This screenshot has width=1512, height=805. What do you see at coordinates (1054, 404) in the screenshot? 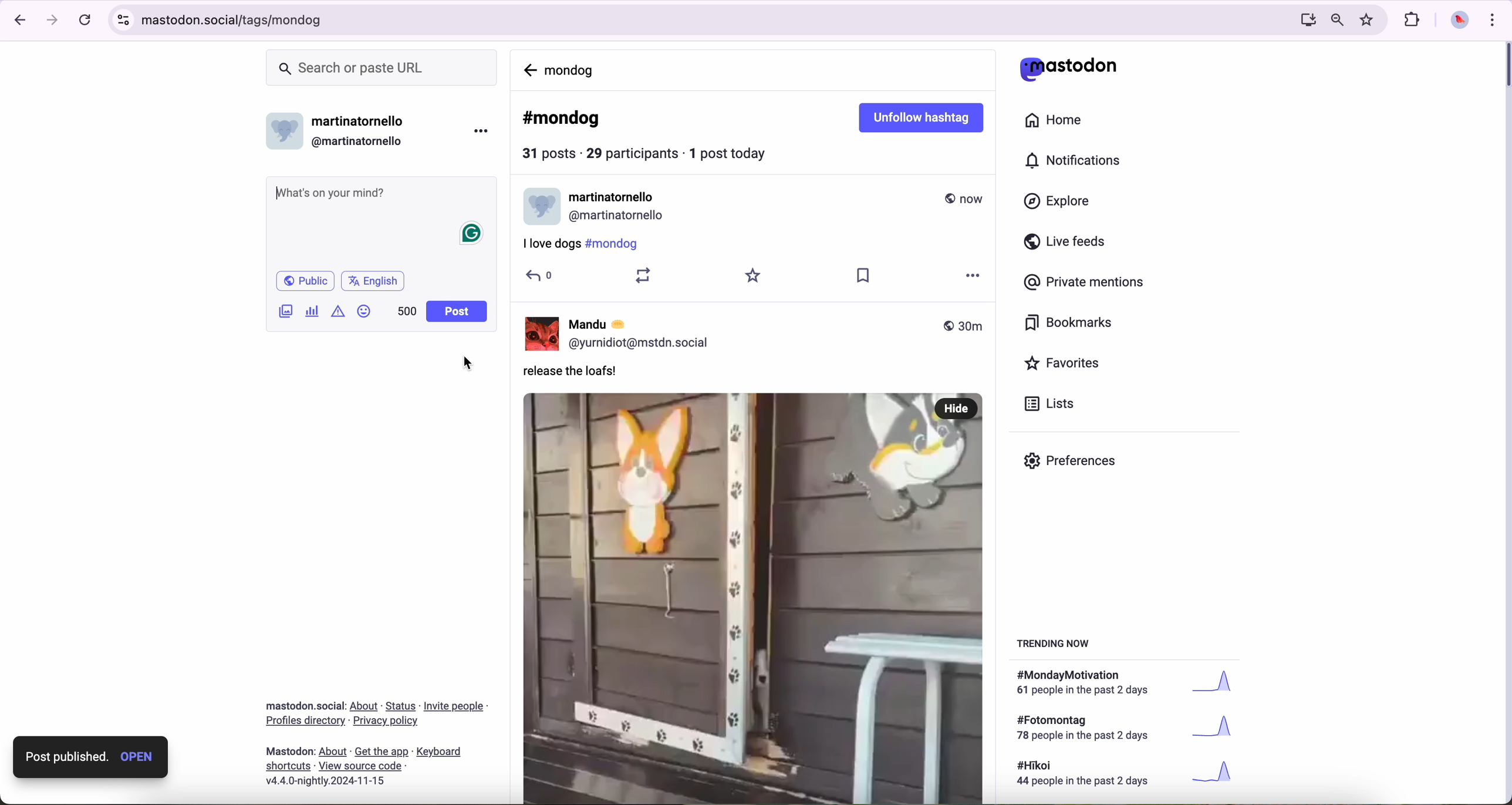
I see `lists` at bounding box center [1054, 404].